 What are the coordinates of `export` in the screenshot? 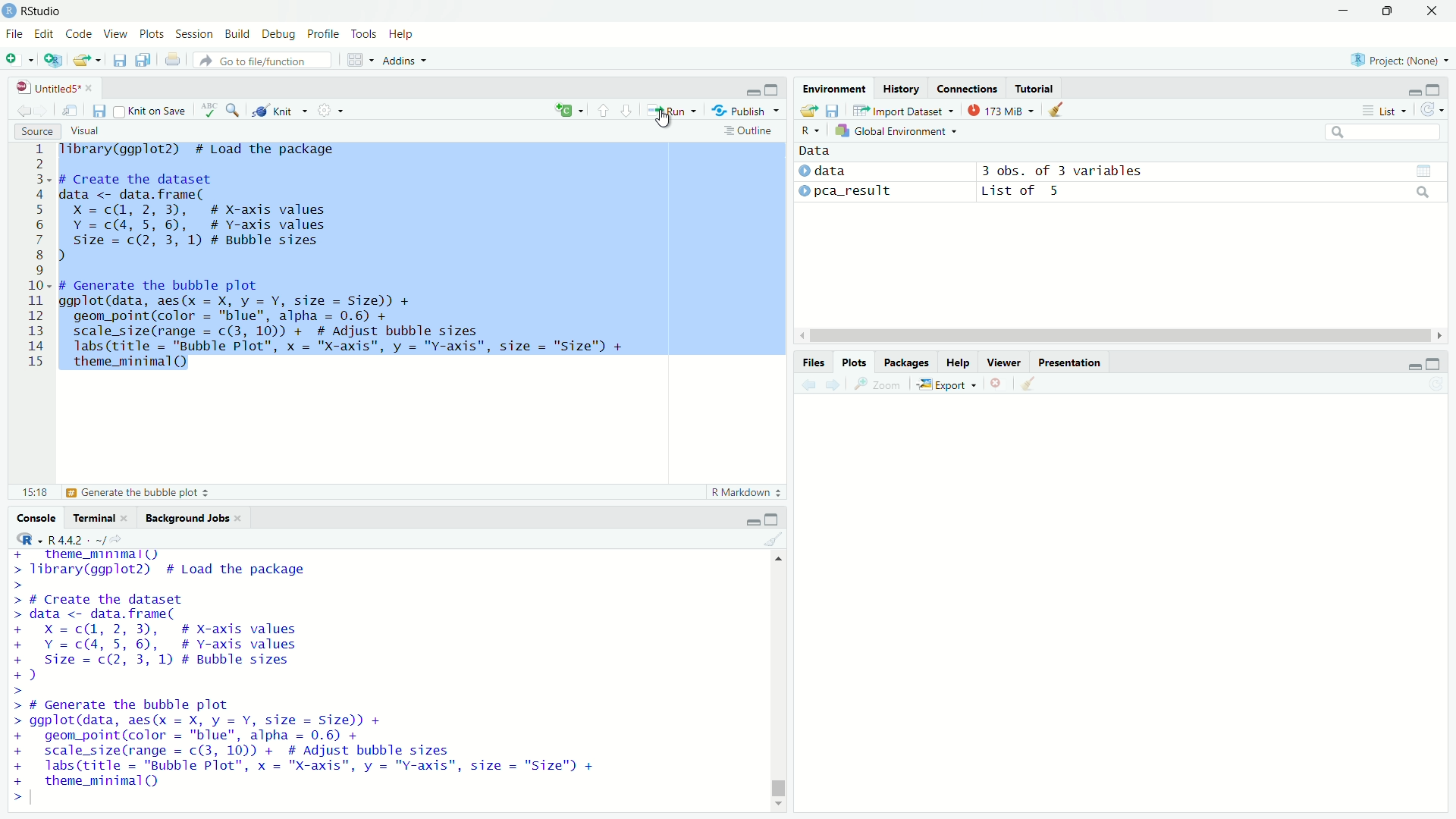 It's located at (947, 385).